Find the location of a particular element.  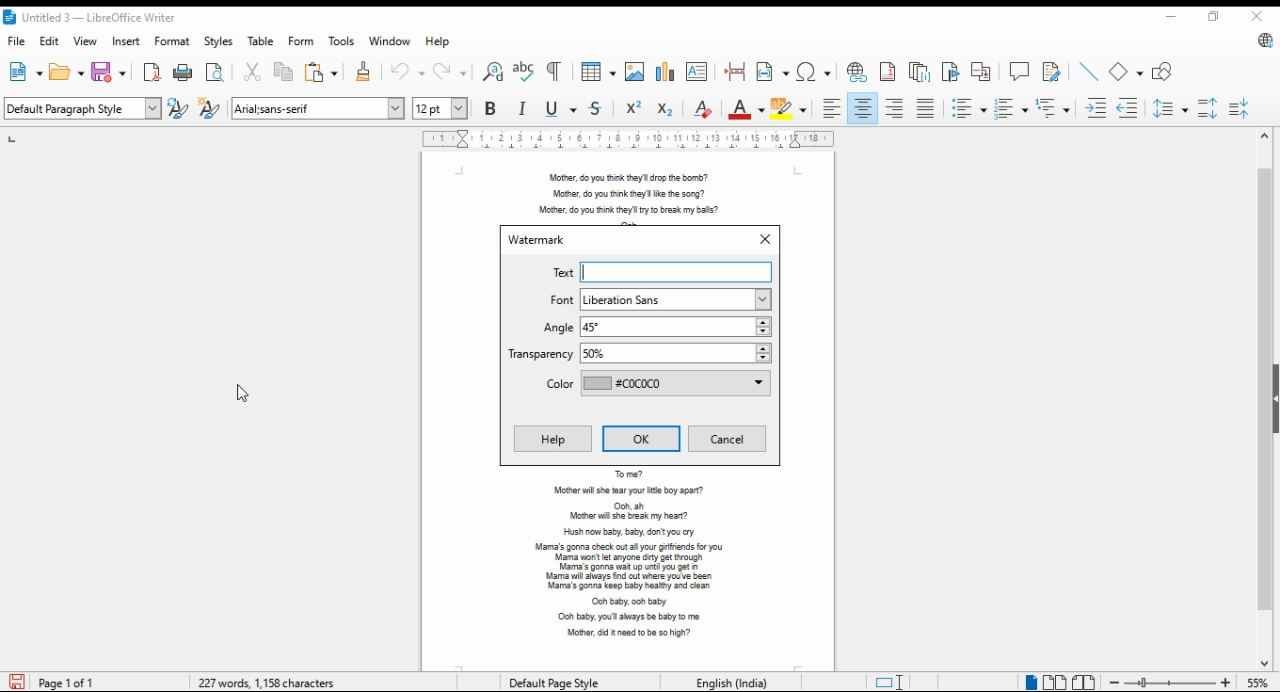

insert line is located at coordinates (1090, 72).